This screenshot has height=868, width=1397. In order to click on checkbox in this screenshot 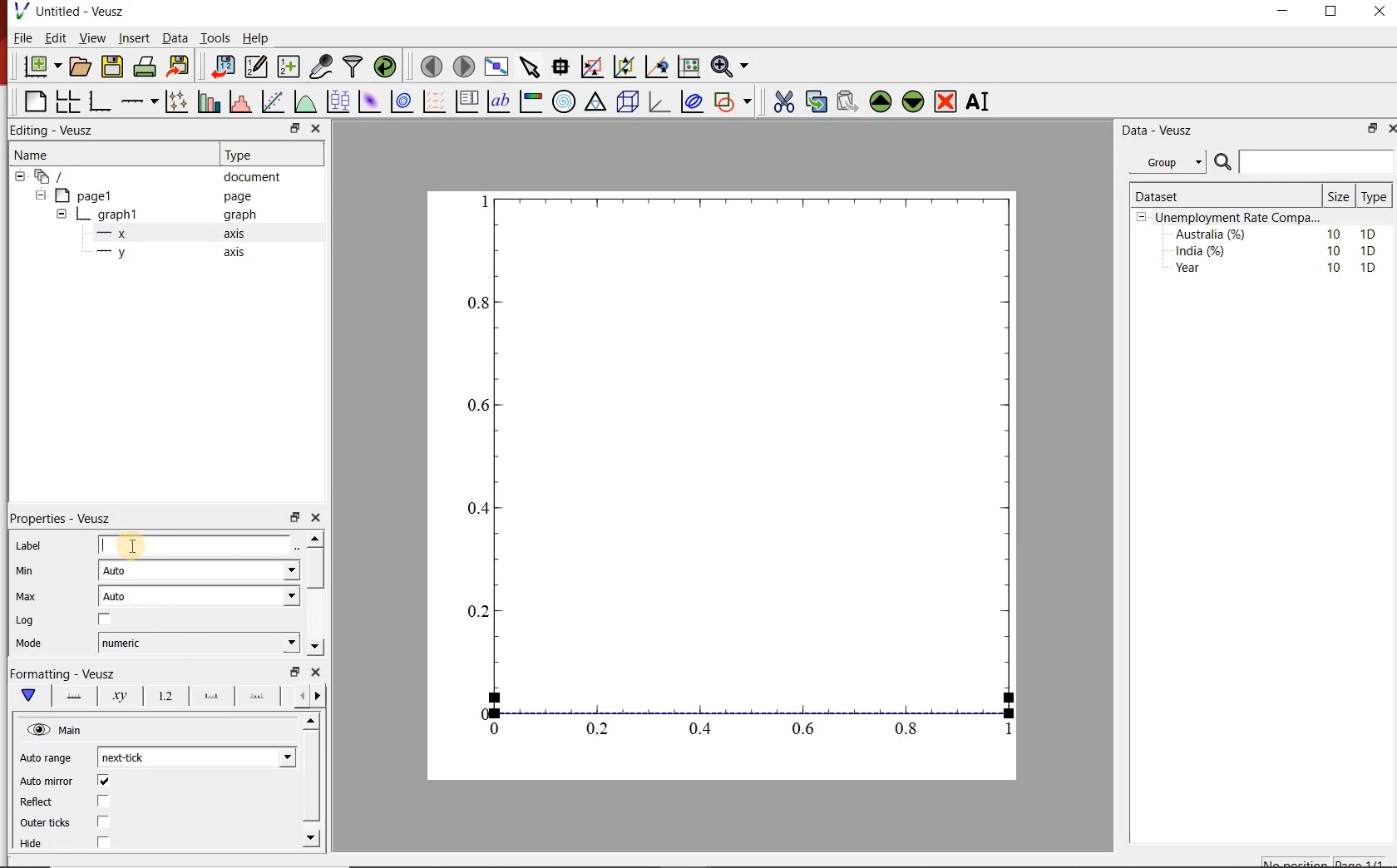, I will do `click(105, 823)`.